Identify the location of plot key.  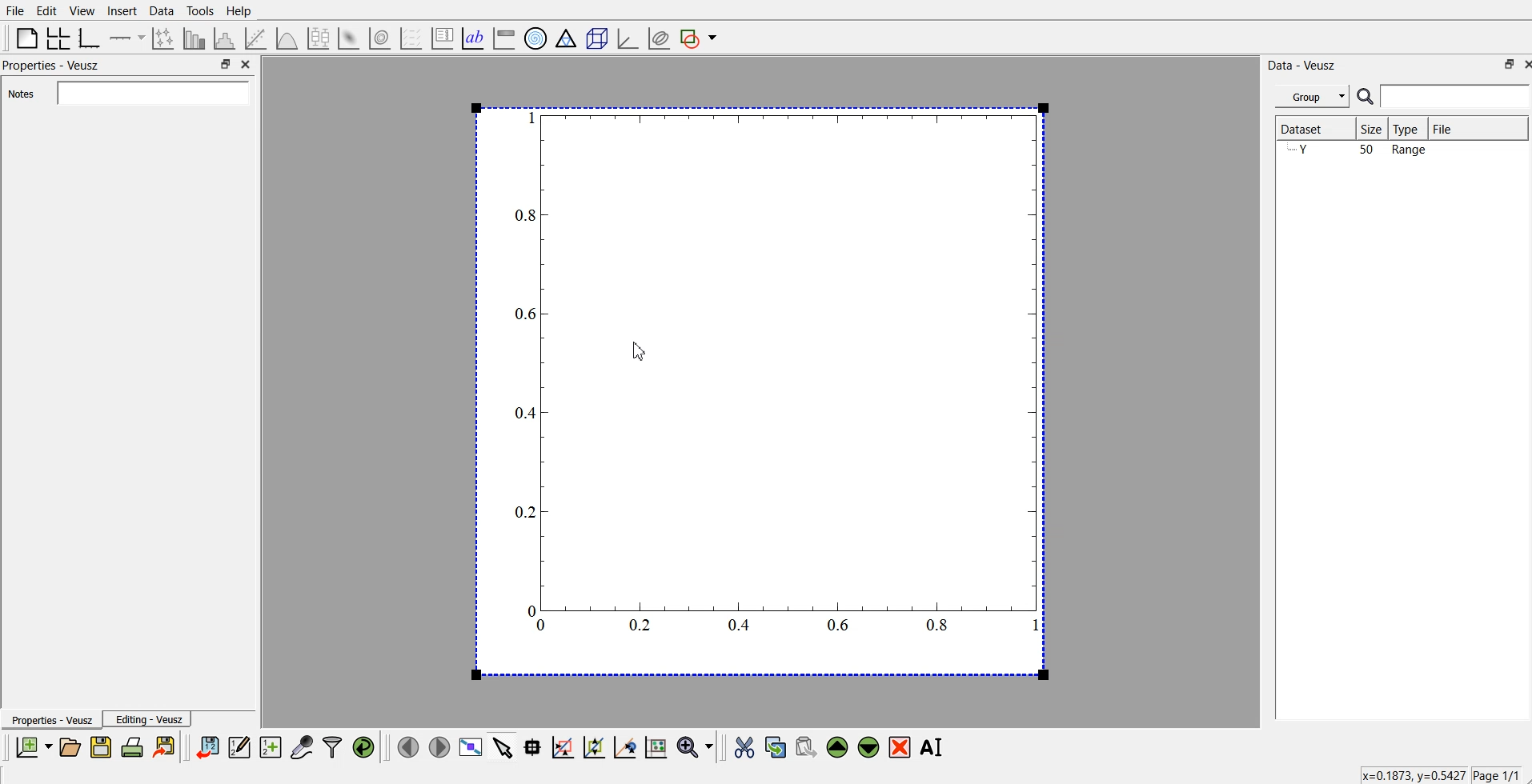
(442, 37).